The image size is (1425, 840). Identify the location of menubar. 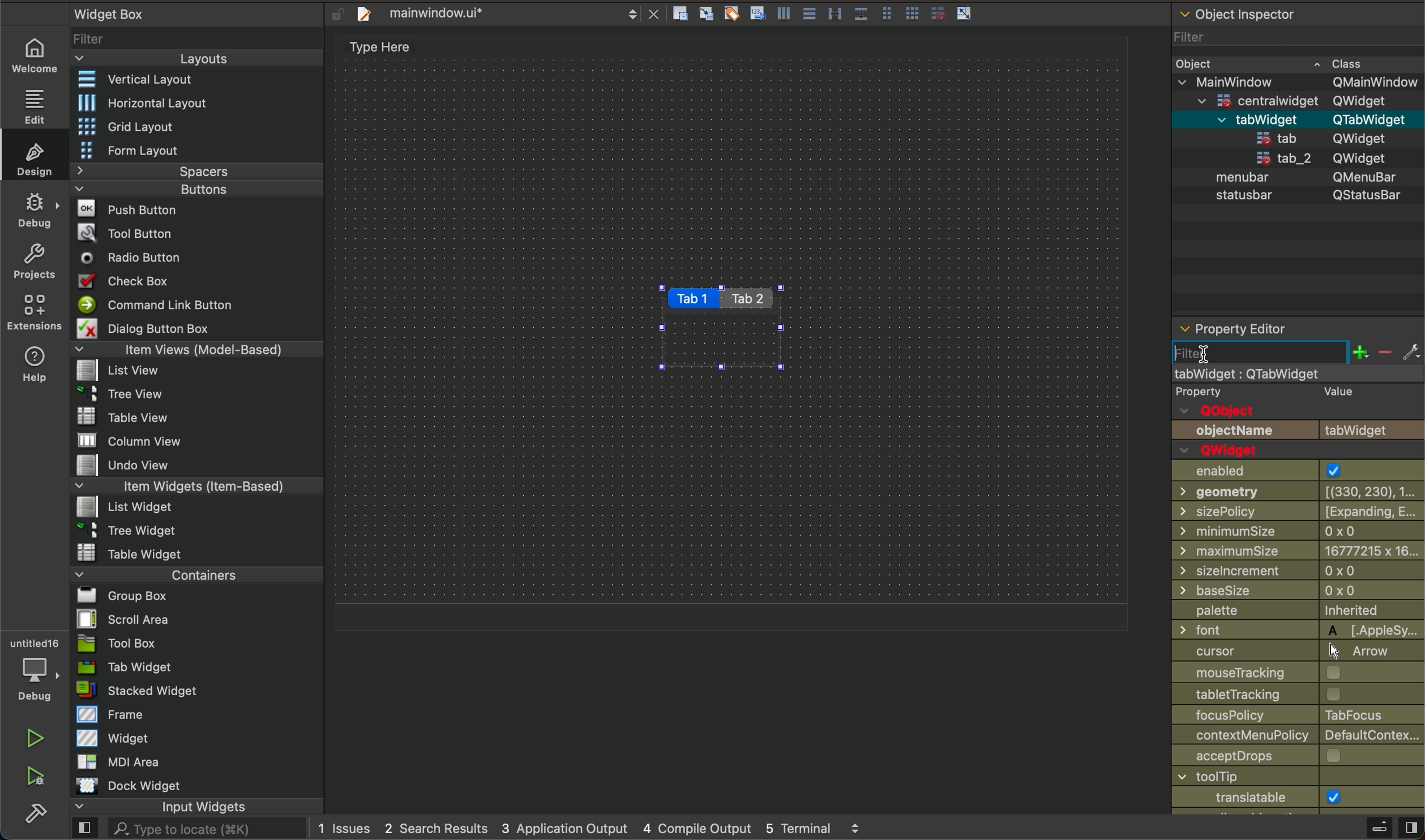
(1235, 179).